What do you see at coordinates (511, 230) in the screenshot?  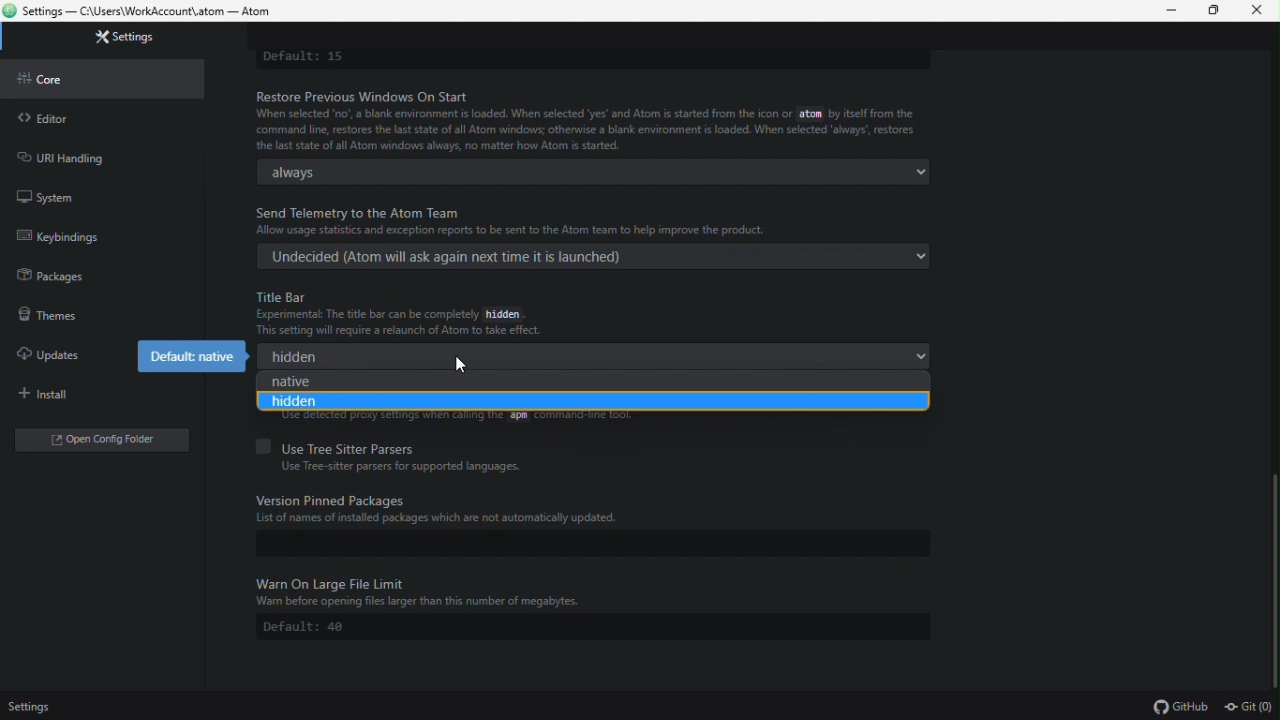 I see `Allow usage statistics and exception reports to be sent to the Atom team to help improve the product.` at bounding box center [511, 230].